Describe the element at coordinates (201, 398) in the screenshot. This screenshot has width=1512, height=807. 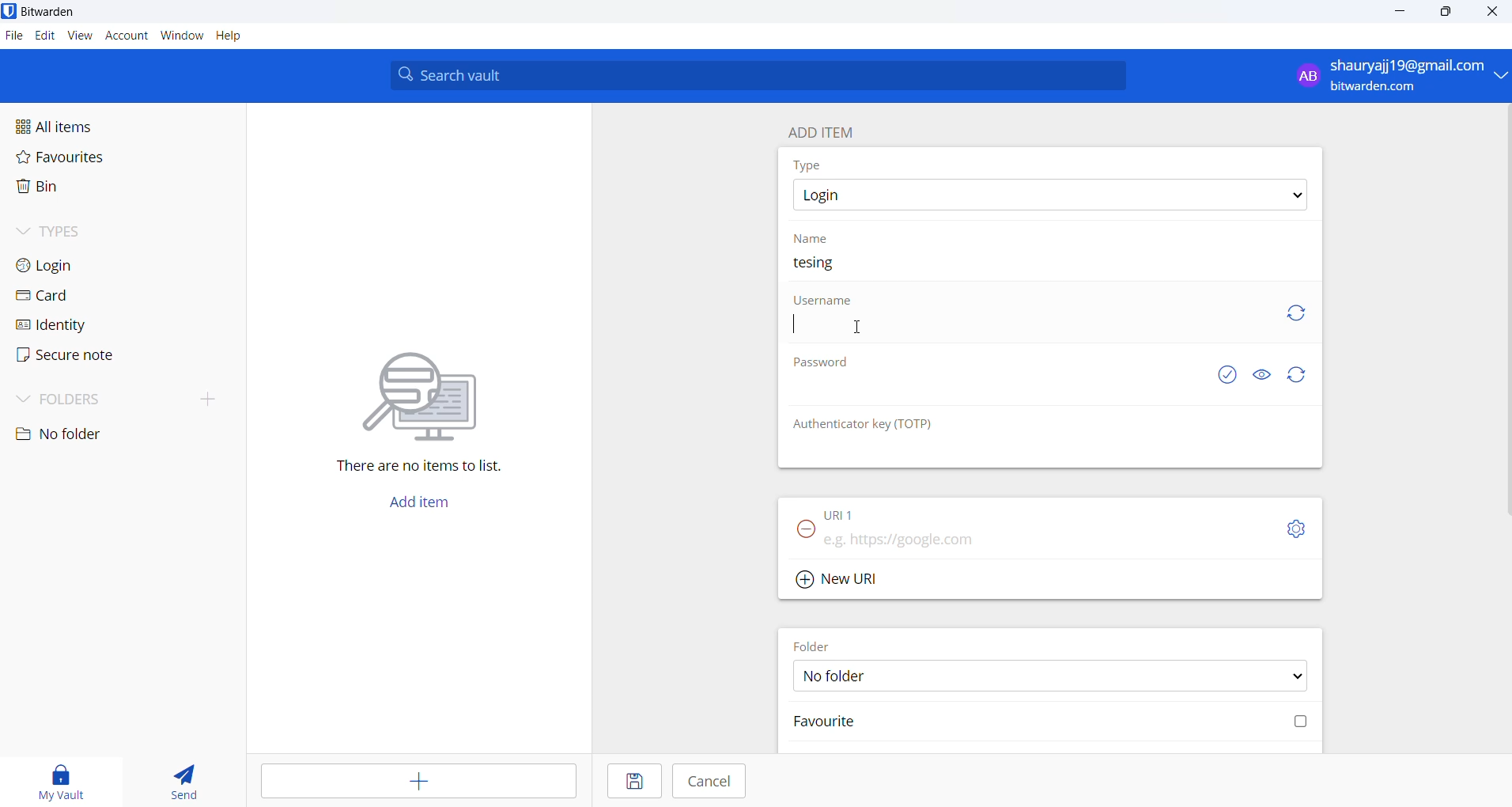
I see `add folder` at that location.